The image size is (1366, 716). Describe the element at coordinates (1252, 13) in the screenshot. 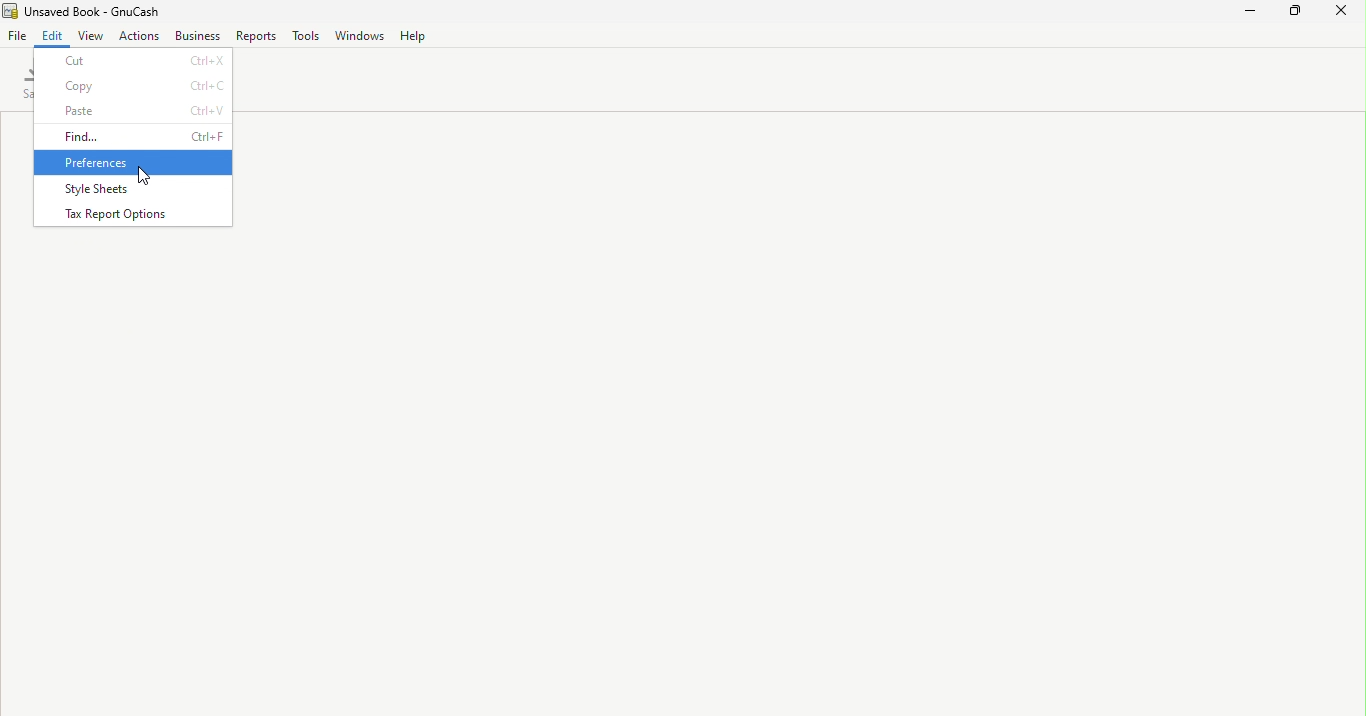

I see `Minimize` at that location.